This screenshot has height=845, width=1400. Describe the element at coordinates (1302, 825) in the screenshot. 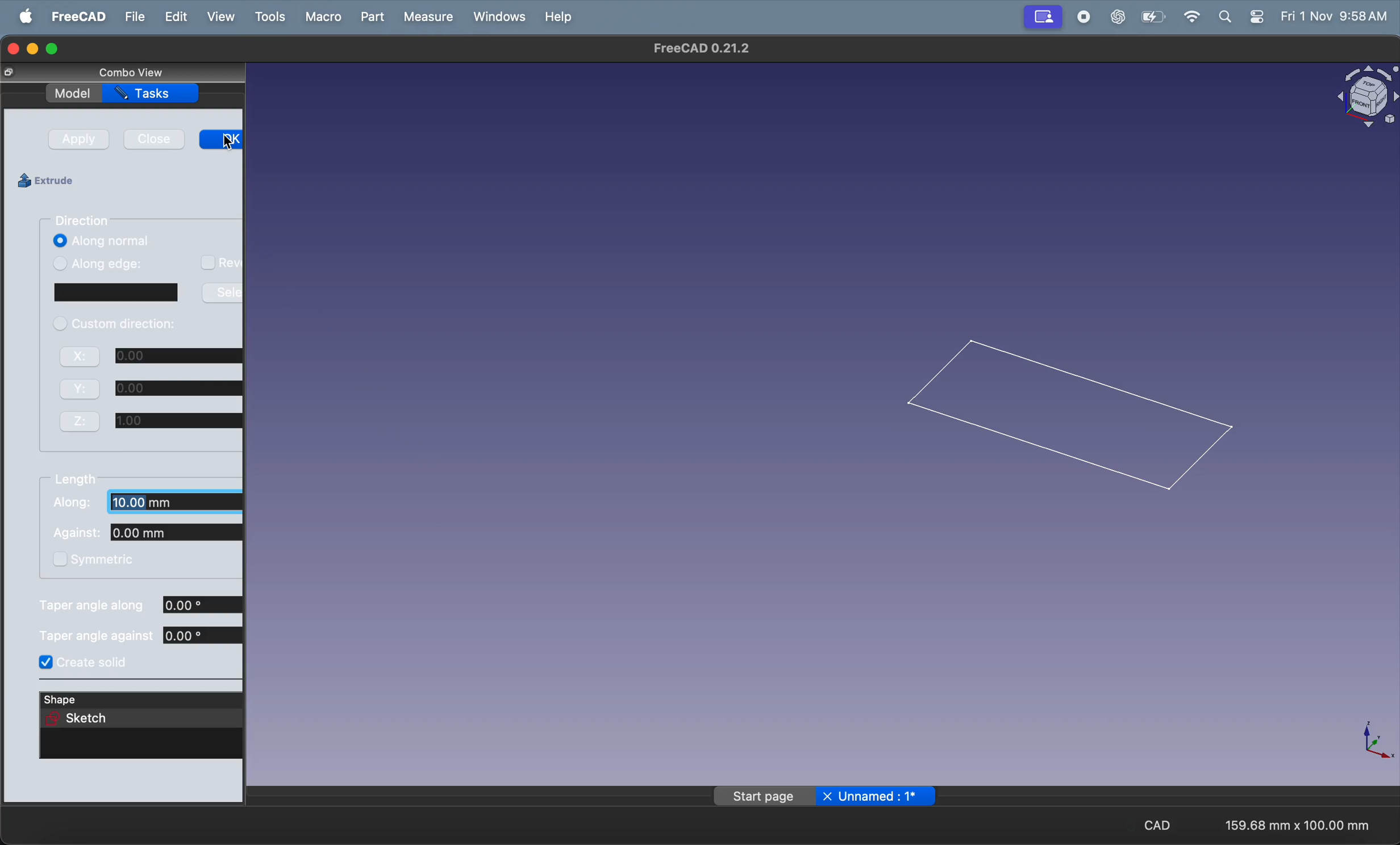

I see `aspect ratio` at that location.